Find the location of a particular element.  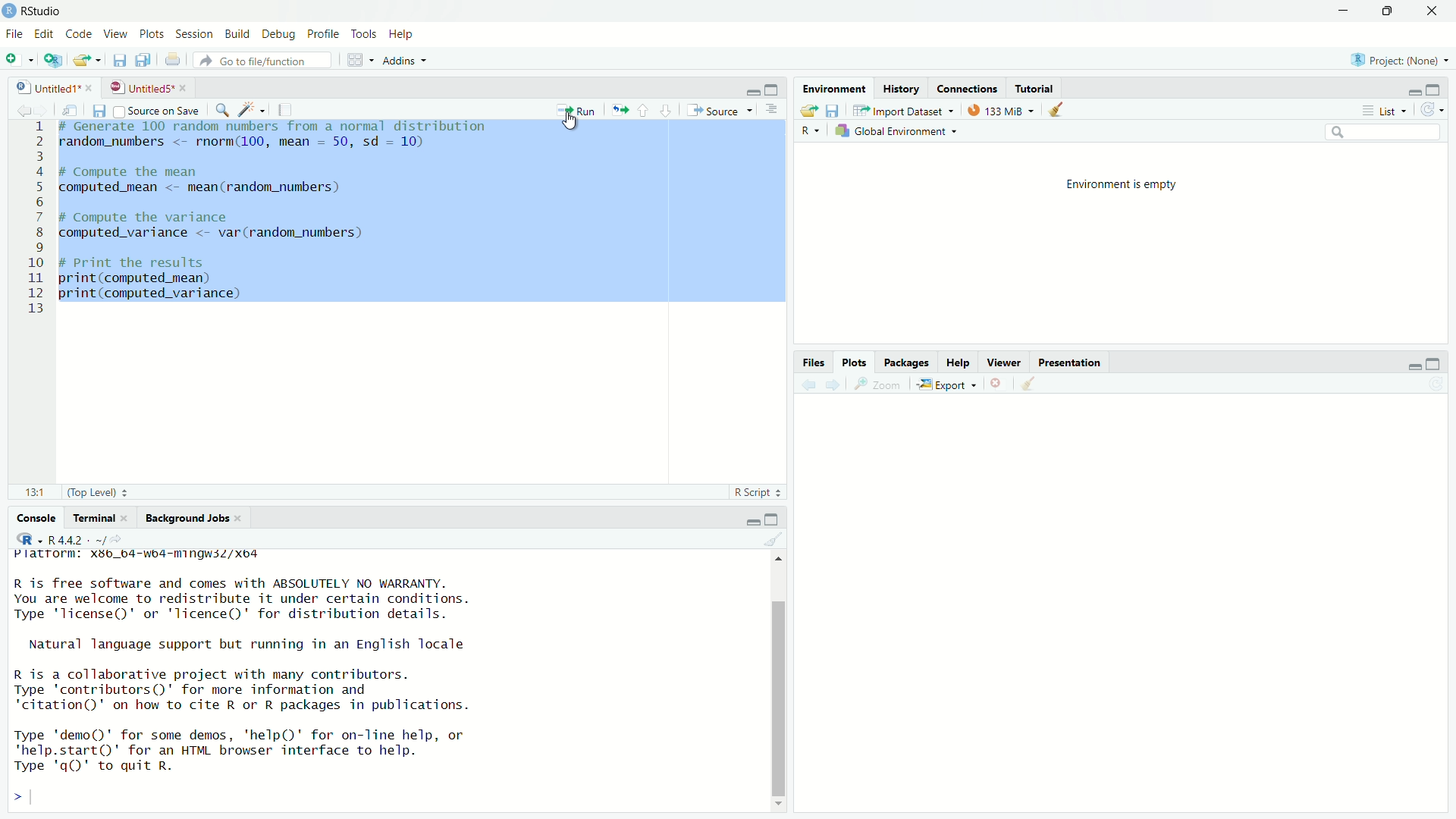

history is located at coordinates (904, 87).